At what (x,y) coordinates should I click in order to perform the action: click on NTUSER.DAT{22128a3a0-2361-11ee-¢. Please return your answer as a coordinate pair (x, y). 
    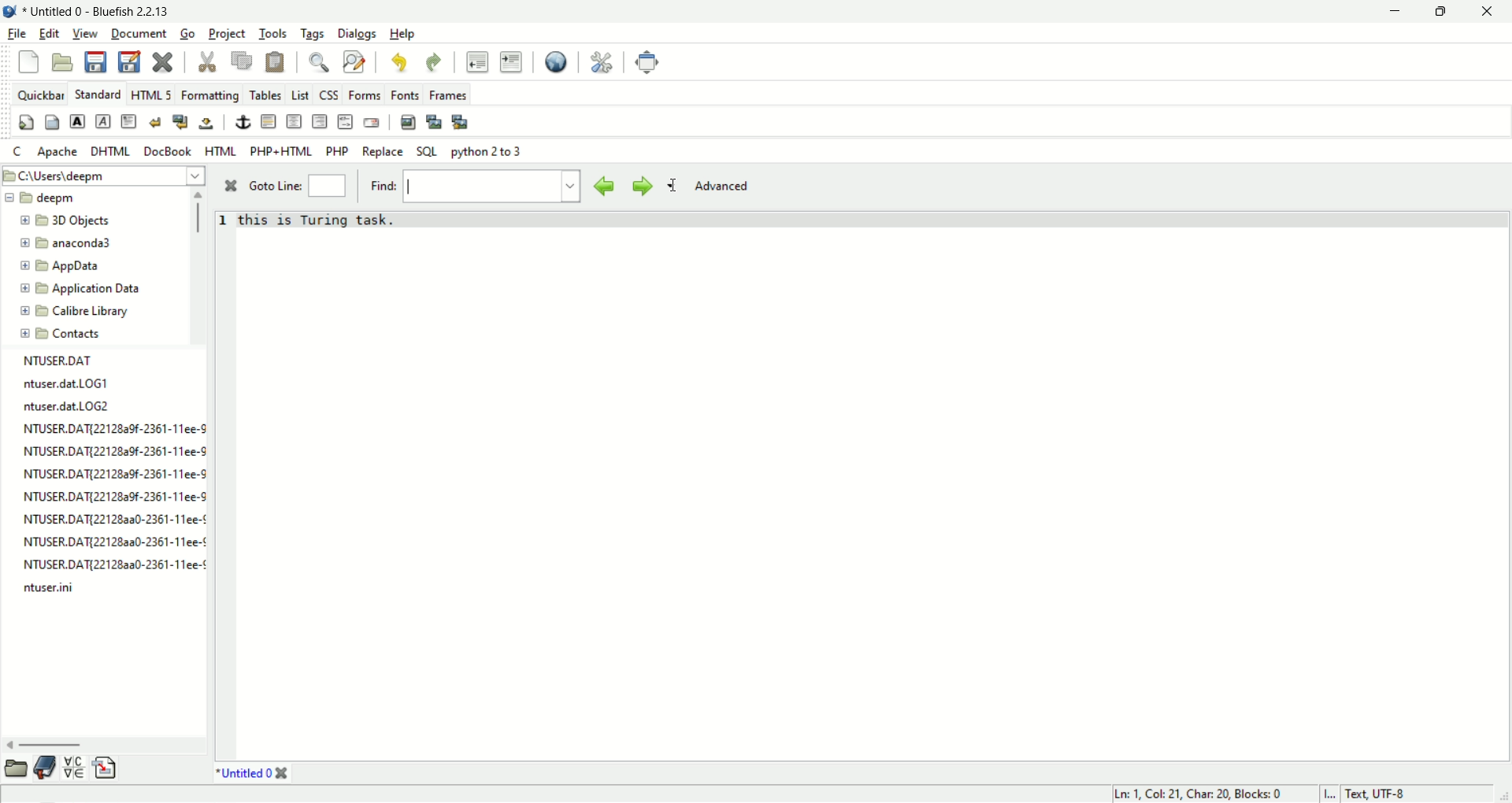
    Looking at the image, I should click on (108, 542).